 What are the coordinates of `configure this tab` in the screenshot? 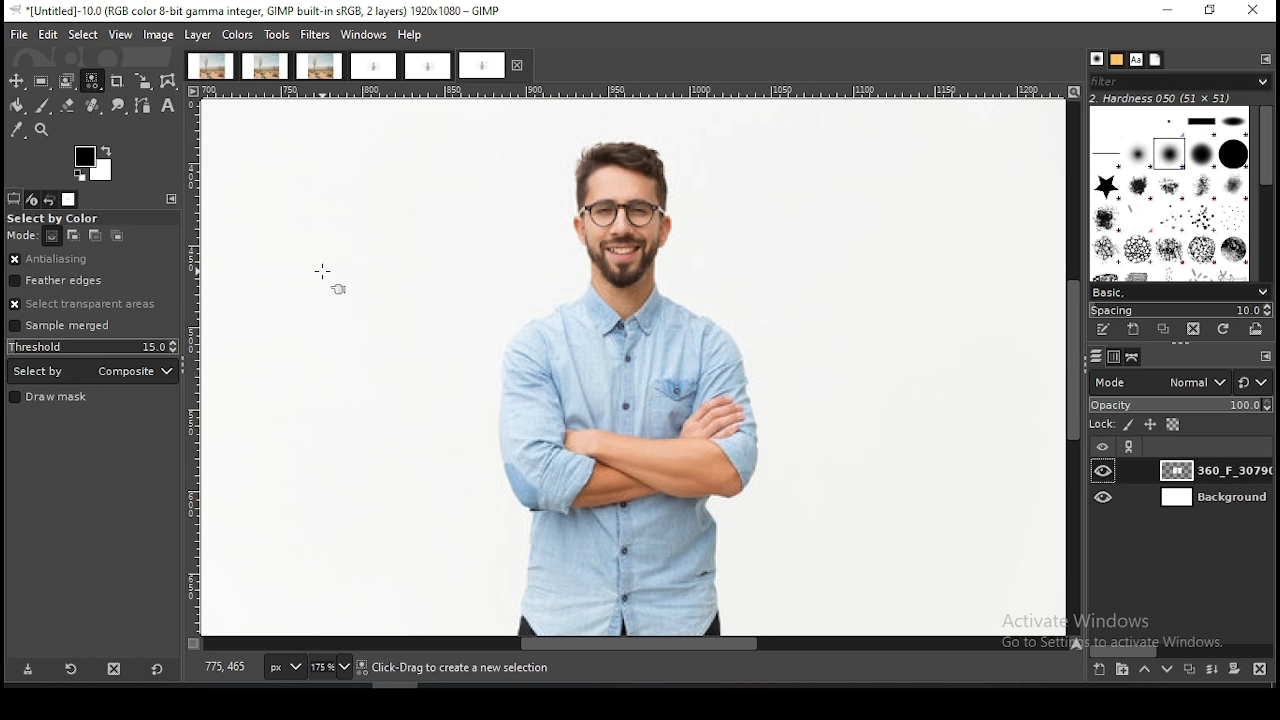 It's located at (1267, 60).